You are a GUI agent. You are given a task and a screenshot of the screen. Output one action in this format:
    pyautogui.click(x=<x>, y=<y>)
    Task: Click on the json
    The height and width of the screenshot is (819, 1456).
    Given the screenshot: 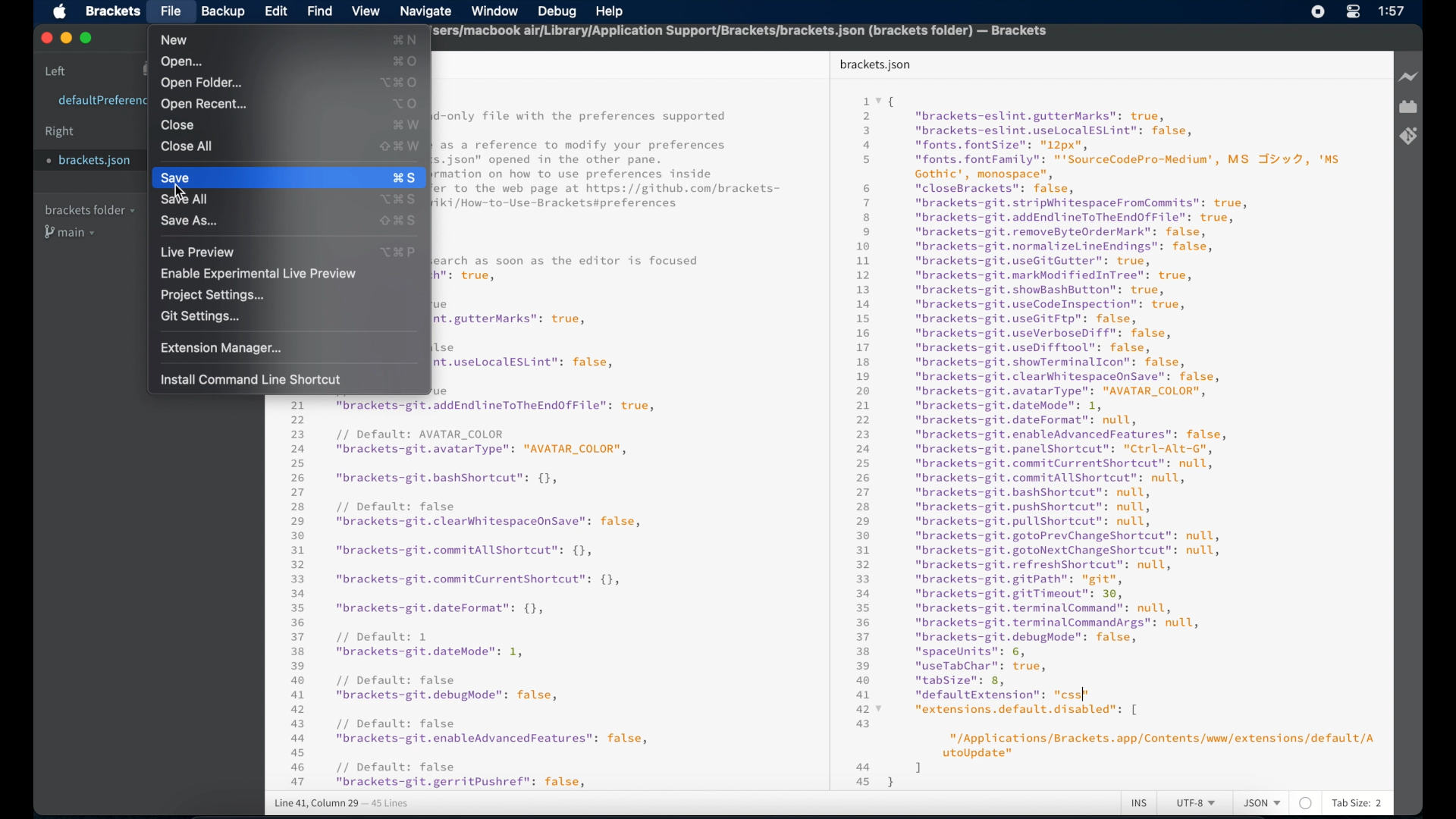 What is the action you would take?
    pyautogui.click(x=1261, y=804)
    